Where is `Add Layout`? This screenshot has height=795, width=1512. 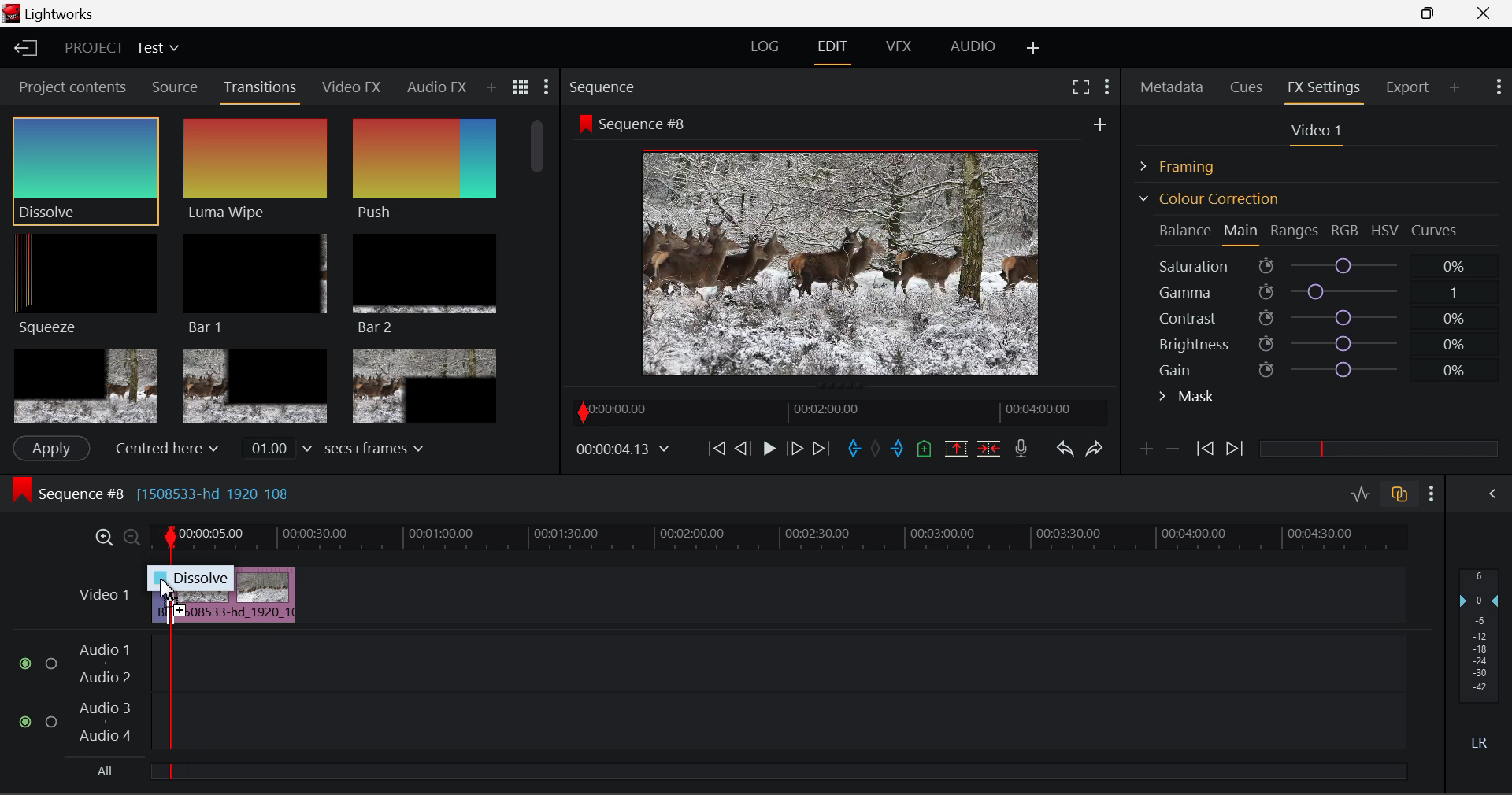 Add Layout is located at coordinates (1034, 49).